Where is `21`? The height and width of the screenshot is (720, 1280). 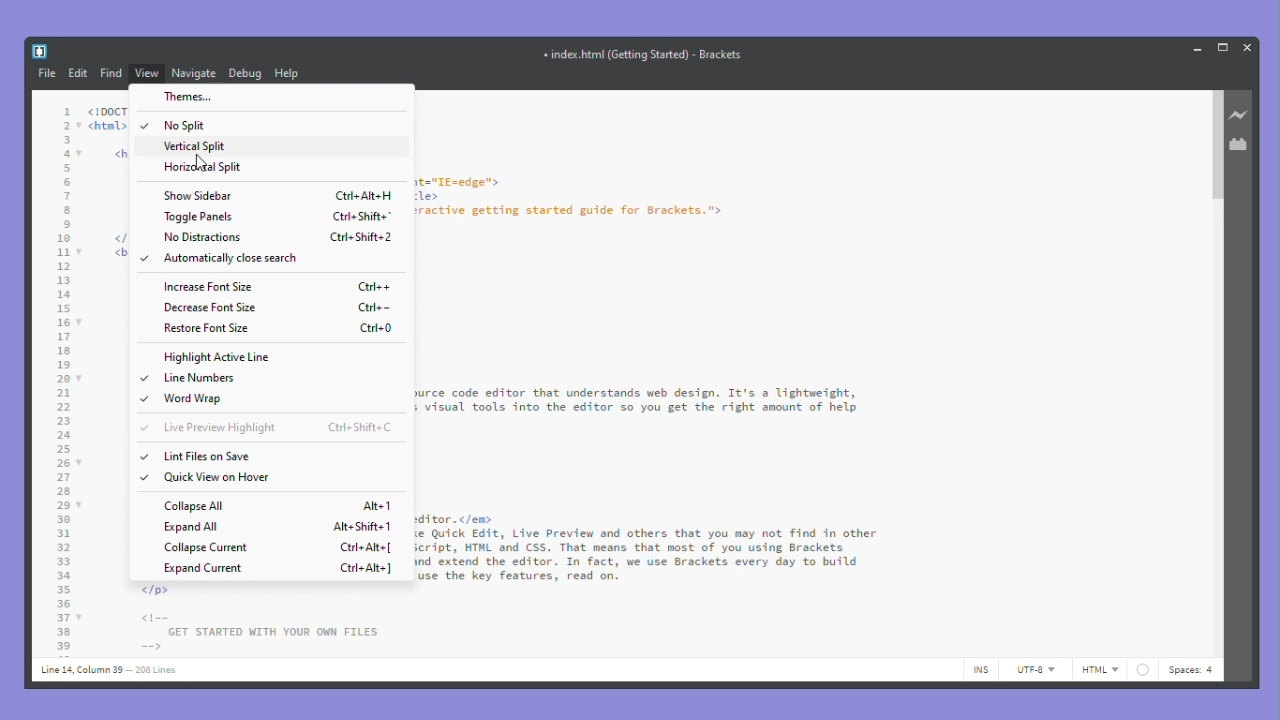 21 is located at coordinates (63, 393).